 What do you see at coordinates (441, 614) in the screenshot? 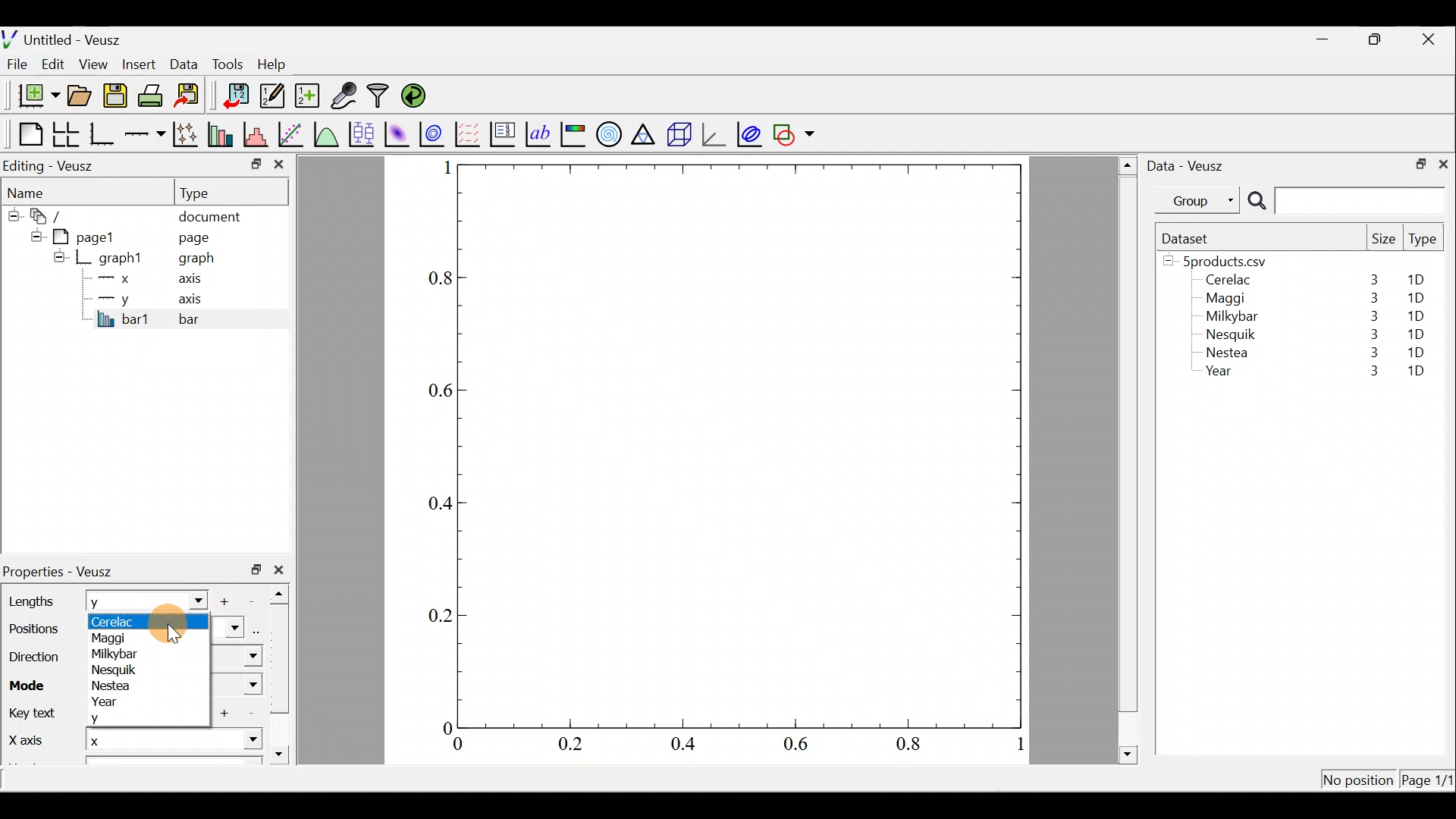
I see `0.2` at bounding box center [441, 614].